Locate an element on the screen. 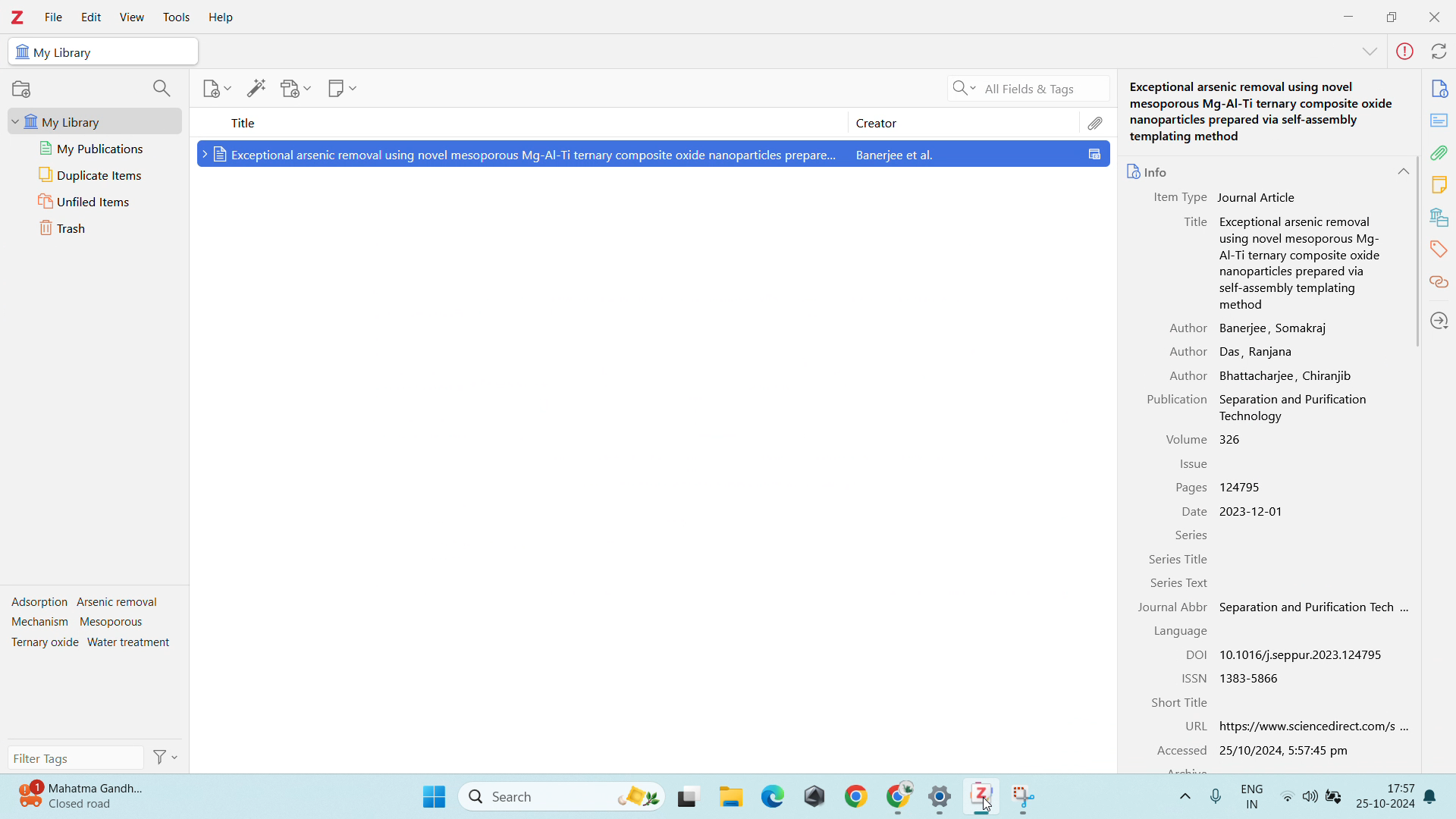 The image size is (1456, 819). add item is located at coordinates (218, 89).